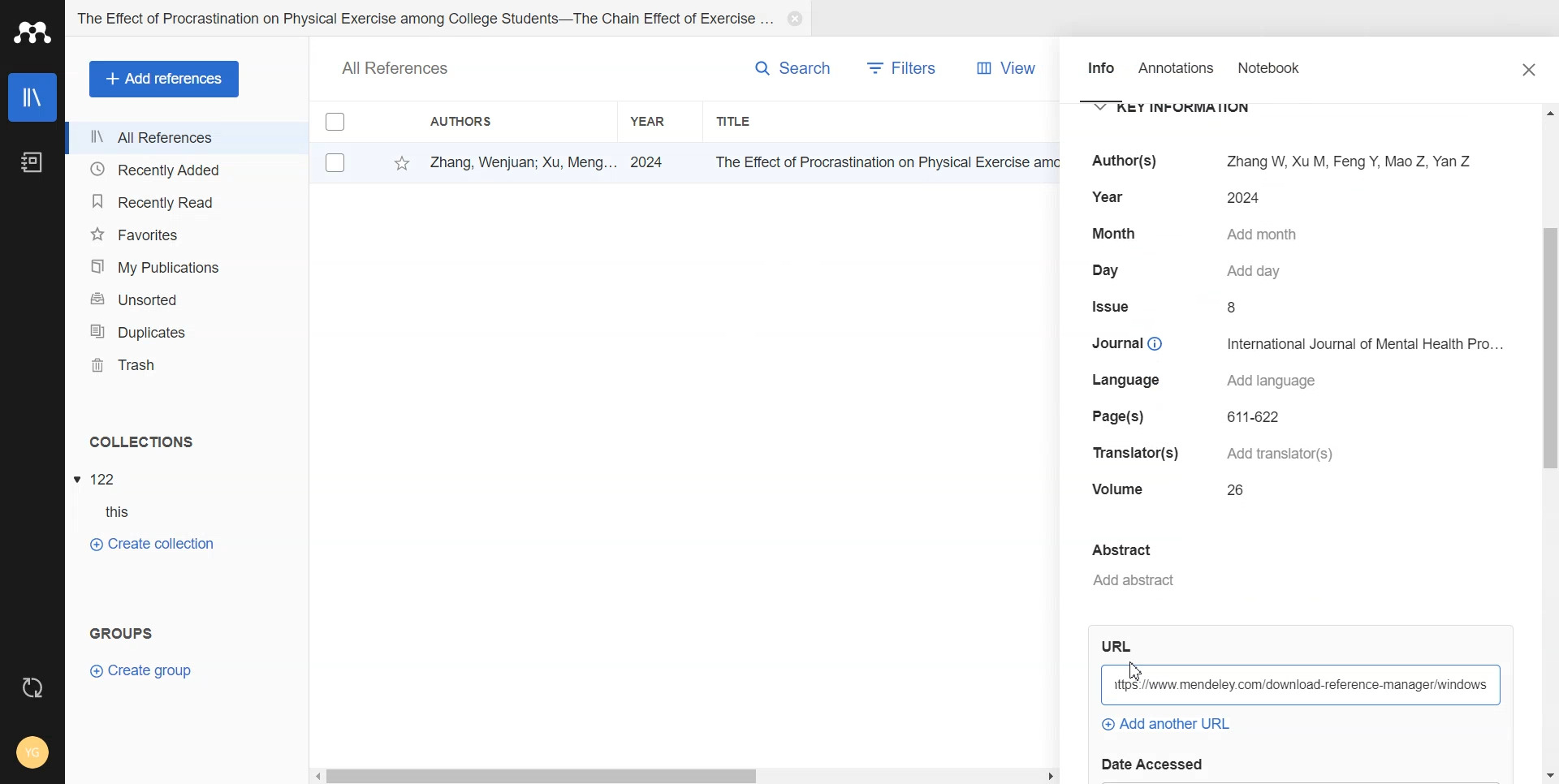  Describe the element at coordinates (684, 776) in the screenshot. I see `Horizontal scroll bar` at that location.